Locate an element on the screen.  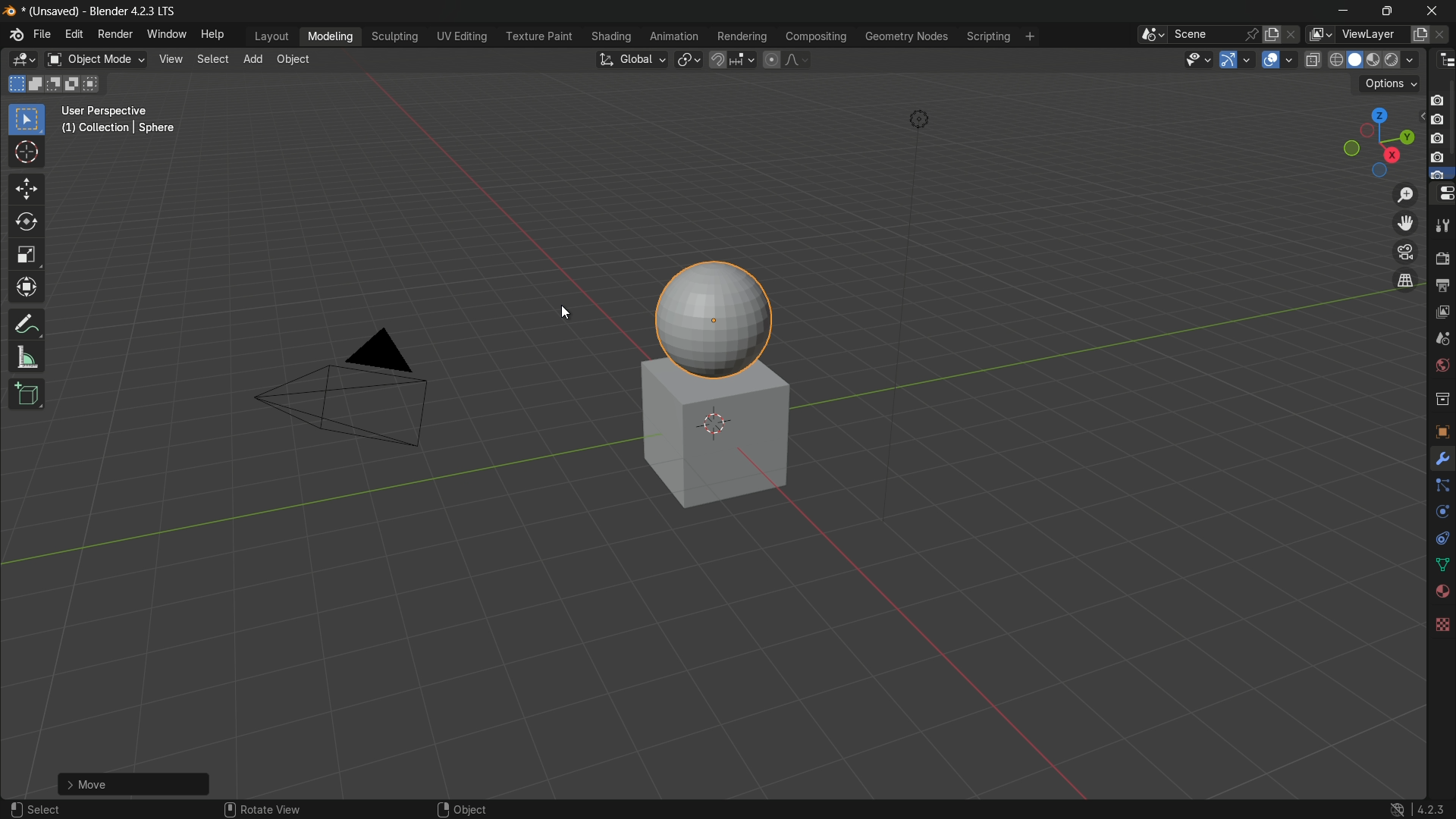
logo is located at coordinates (1397, 810).